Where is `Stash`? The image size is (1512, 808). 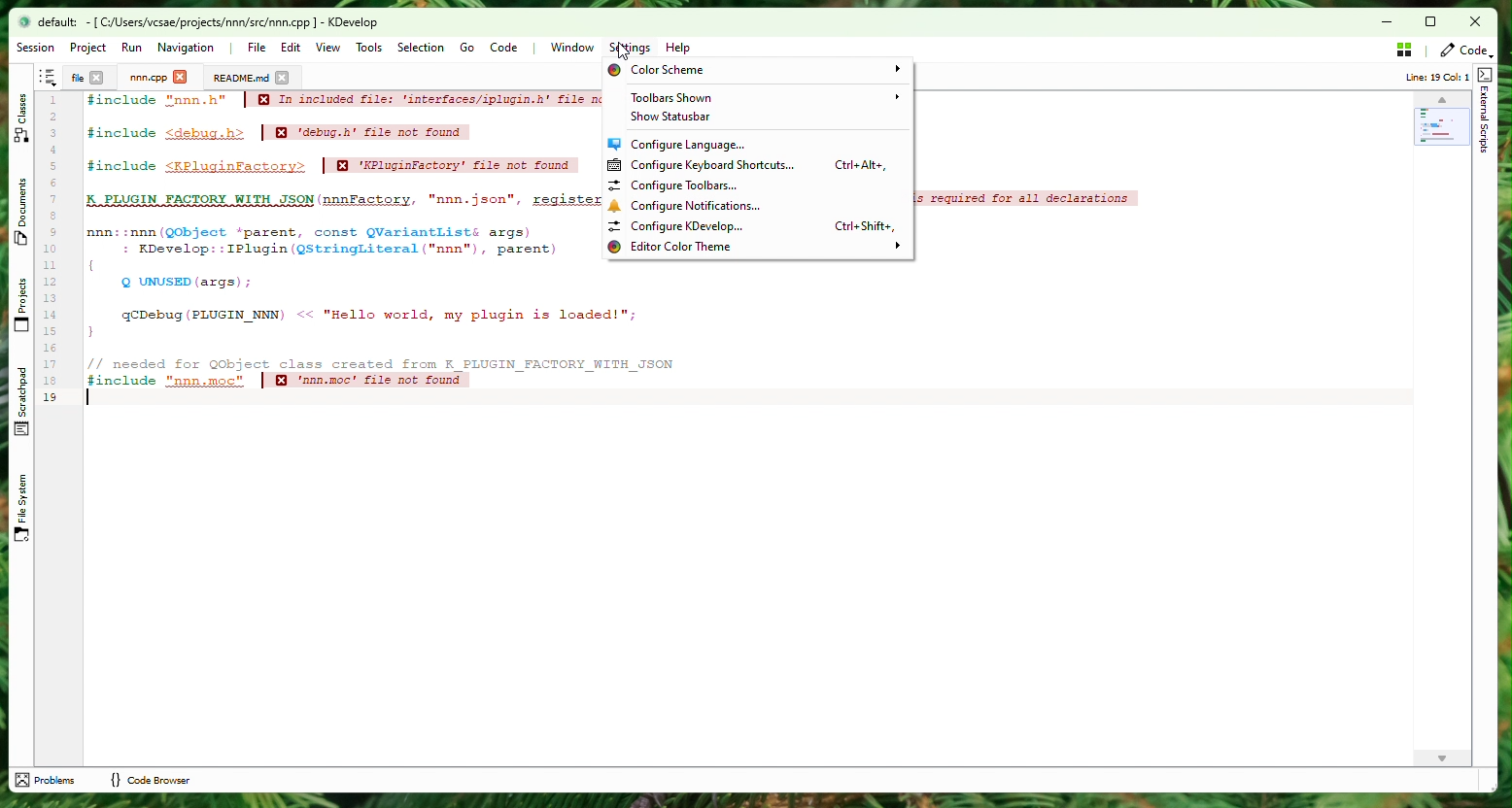
Stash is located at coordinates (1399, 50).